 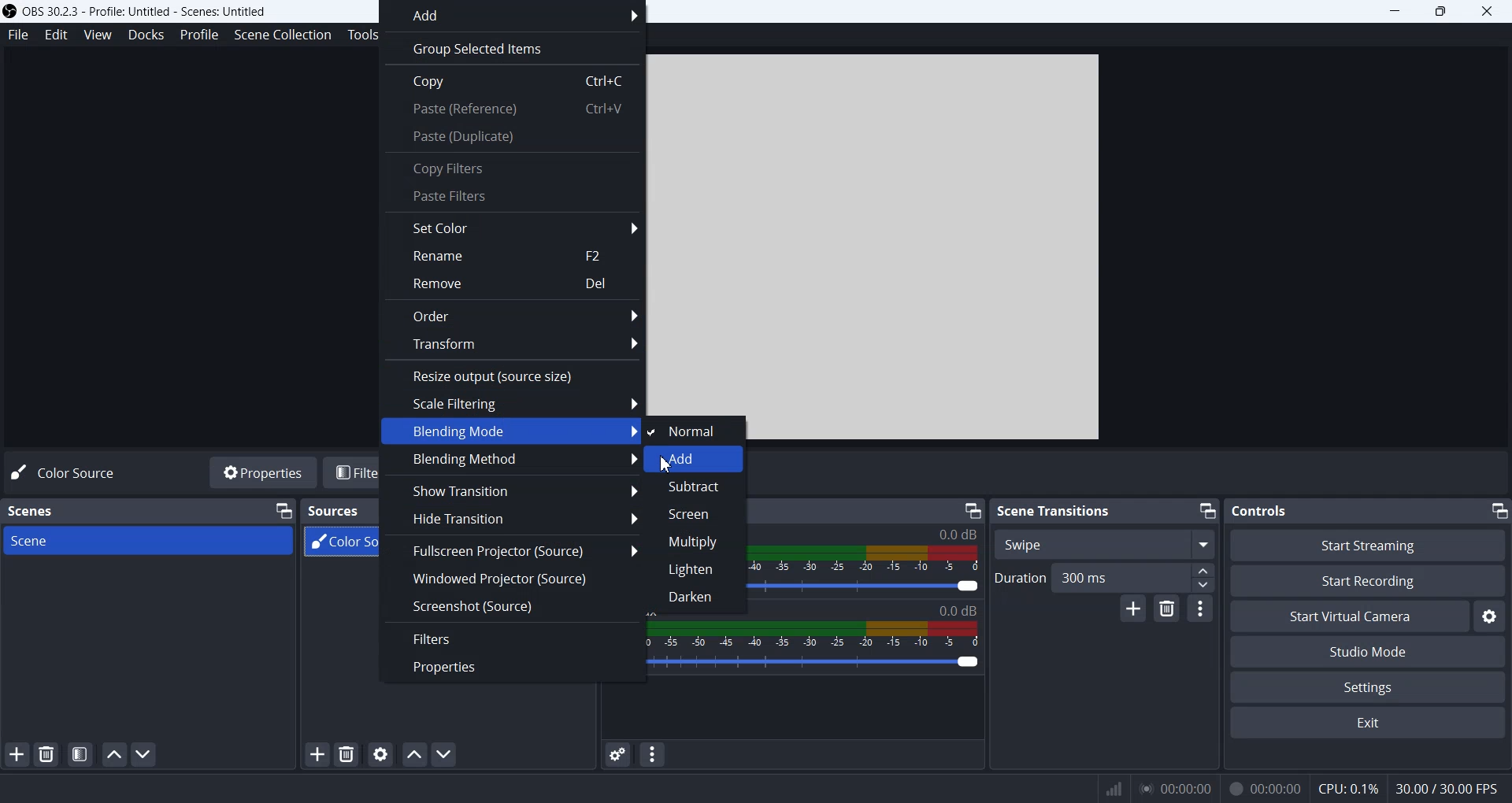 I want to click on Scene Transitions, so click(x=1055, y=510).